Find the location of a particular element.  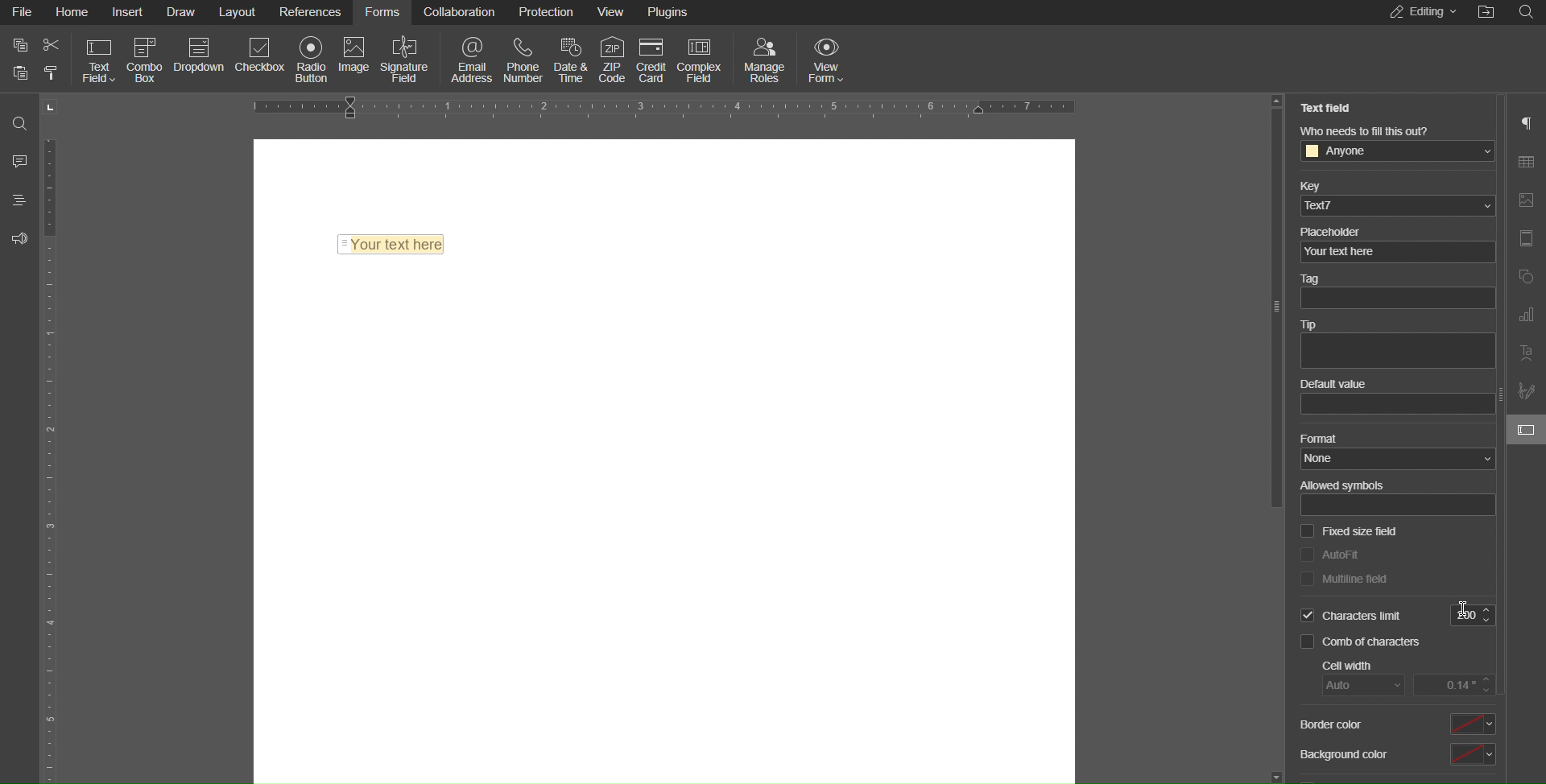

View is located at coordinates (616, 12).